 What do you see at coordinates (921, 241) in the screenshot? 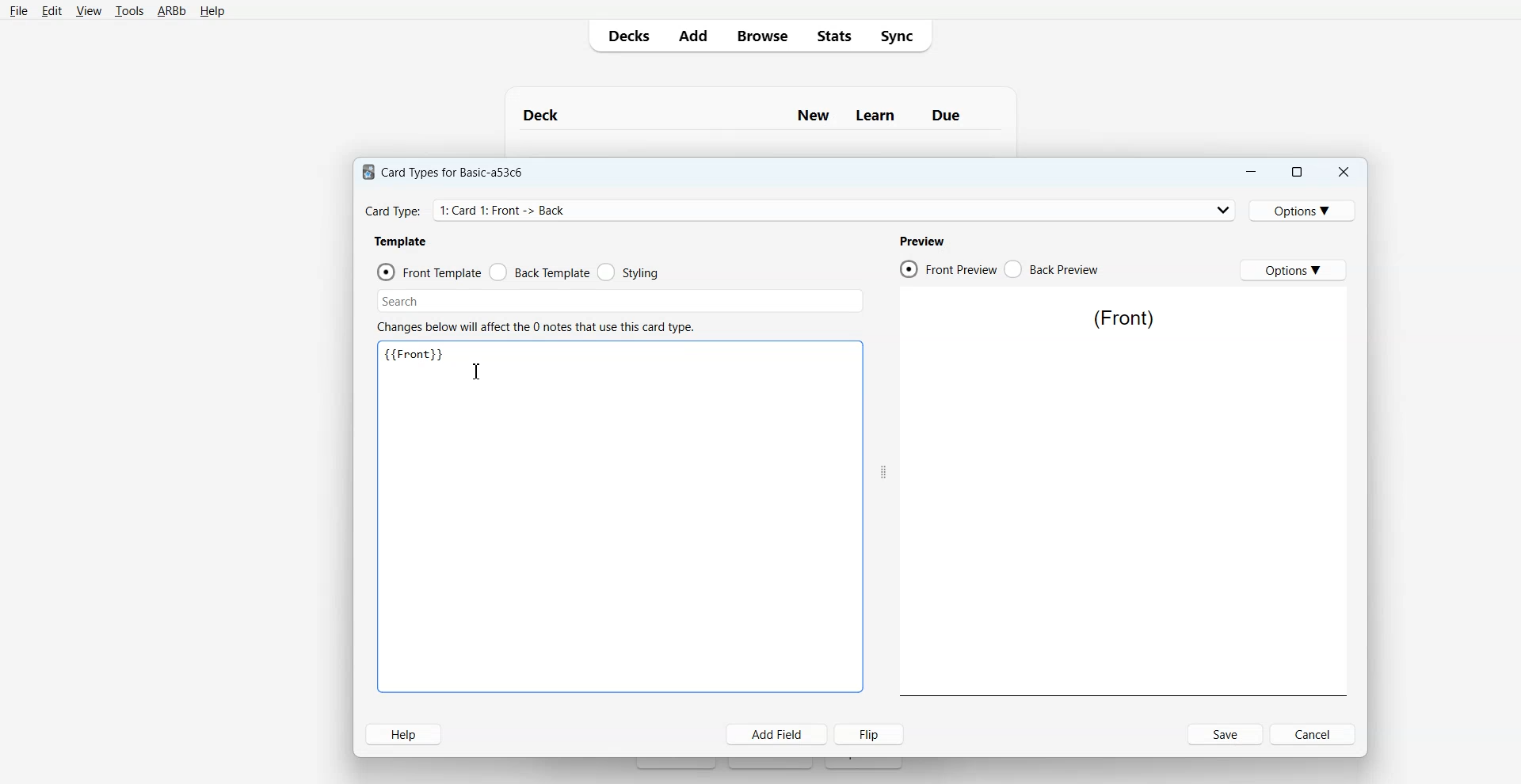
I see `Preview` at bounding box center [921, 241].